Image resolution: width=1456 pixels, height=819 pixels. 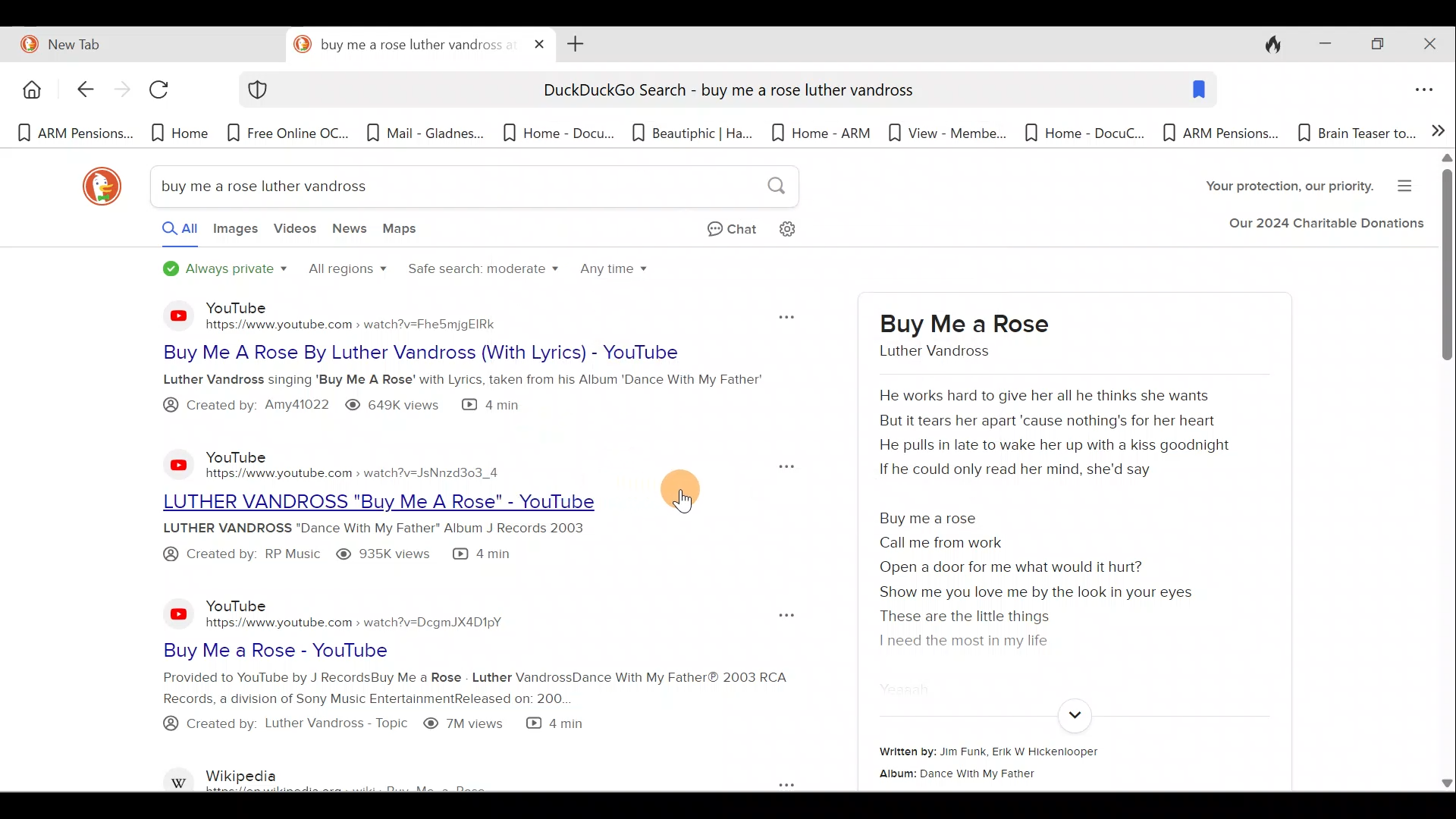 What do you see at coordinates (170, 464) in the screenshot?
I see `YouTube logo` at bounding box center [170, 464].